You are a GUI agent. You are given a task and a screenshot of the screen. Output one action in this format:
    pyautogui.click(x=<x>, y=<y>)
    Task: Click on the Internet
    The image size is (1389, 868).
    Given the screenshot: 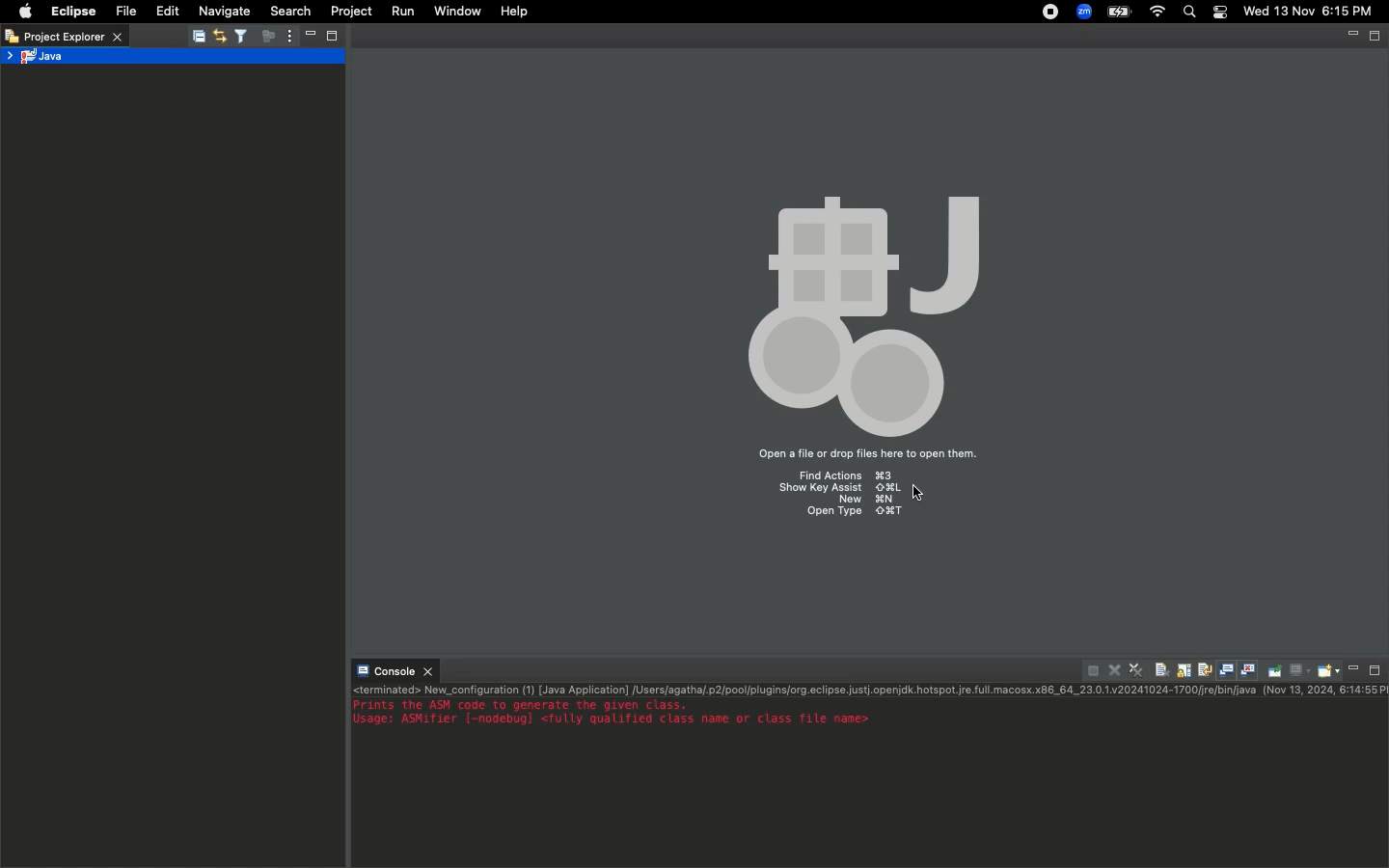 What is the action you would take?
    pyautogui.click(x=1156, y=14)
    